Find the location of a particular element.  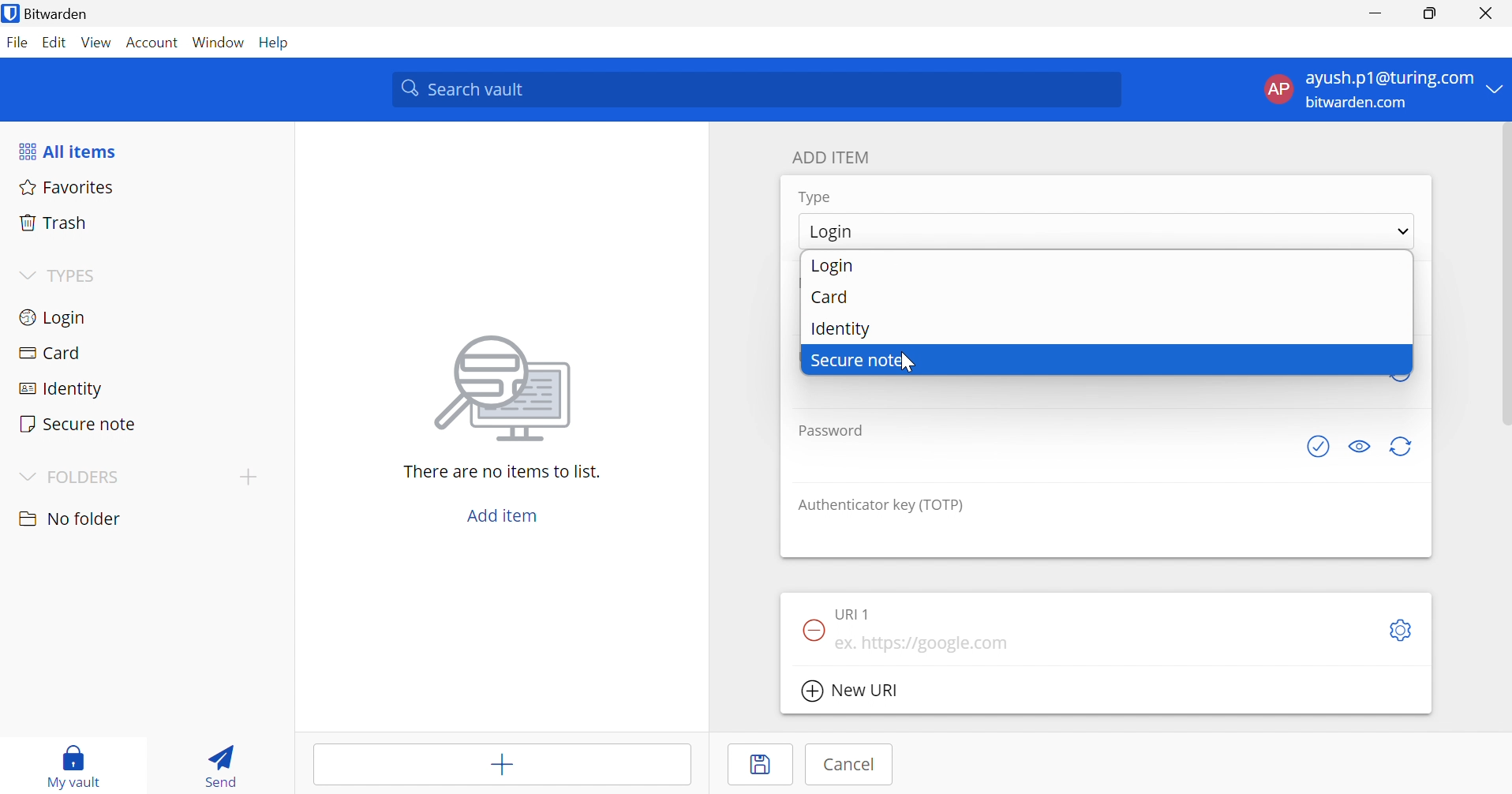

Type is located at coordinates (816, 197).